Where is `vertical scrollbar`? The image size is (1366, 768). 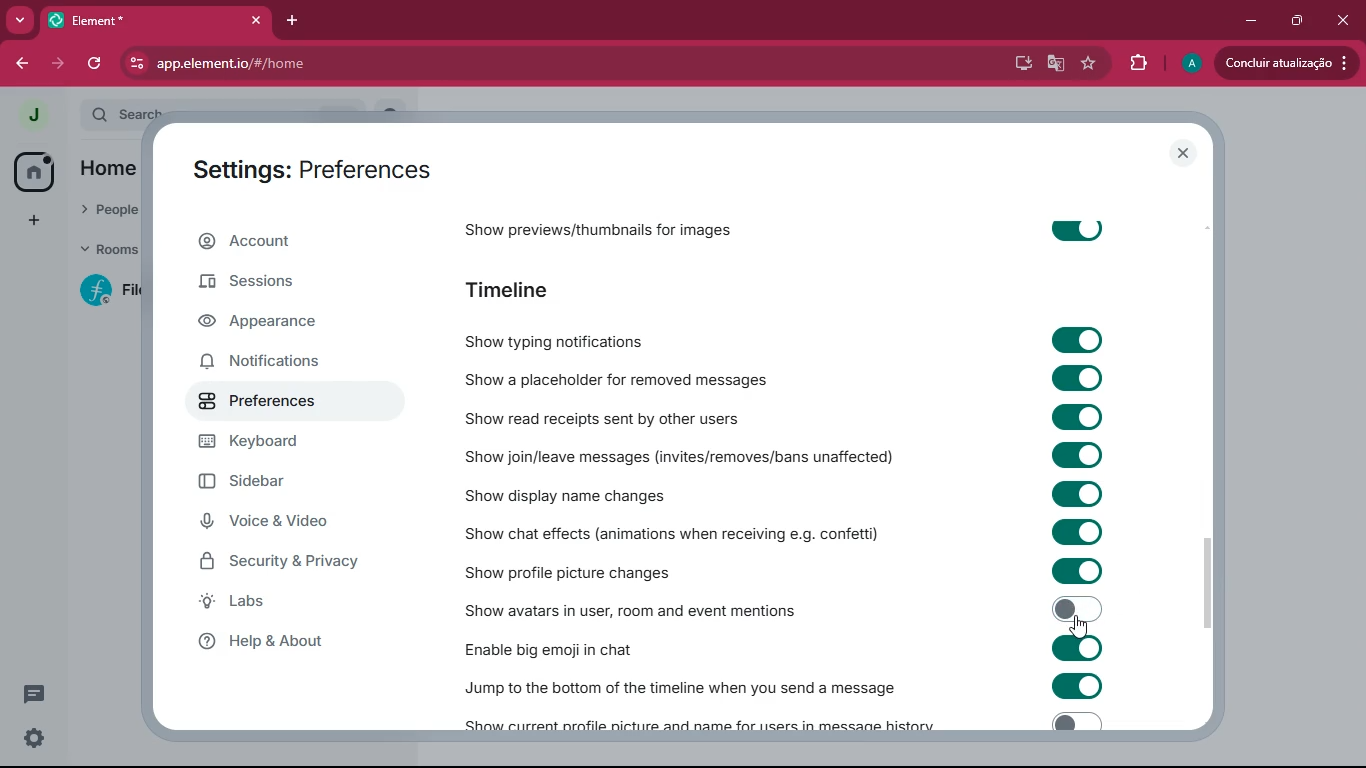
vertical scrollbar is located at coordinates (1205, 586).